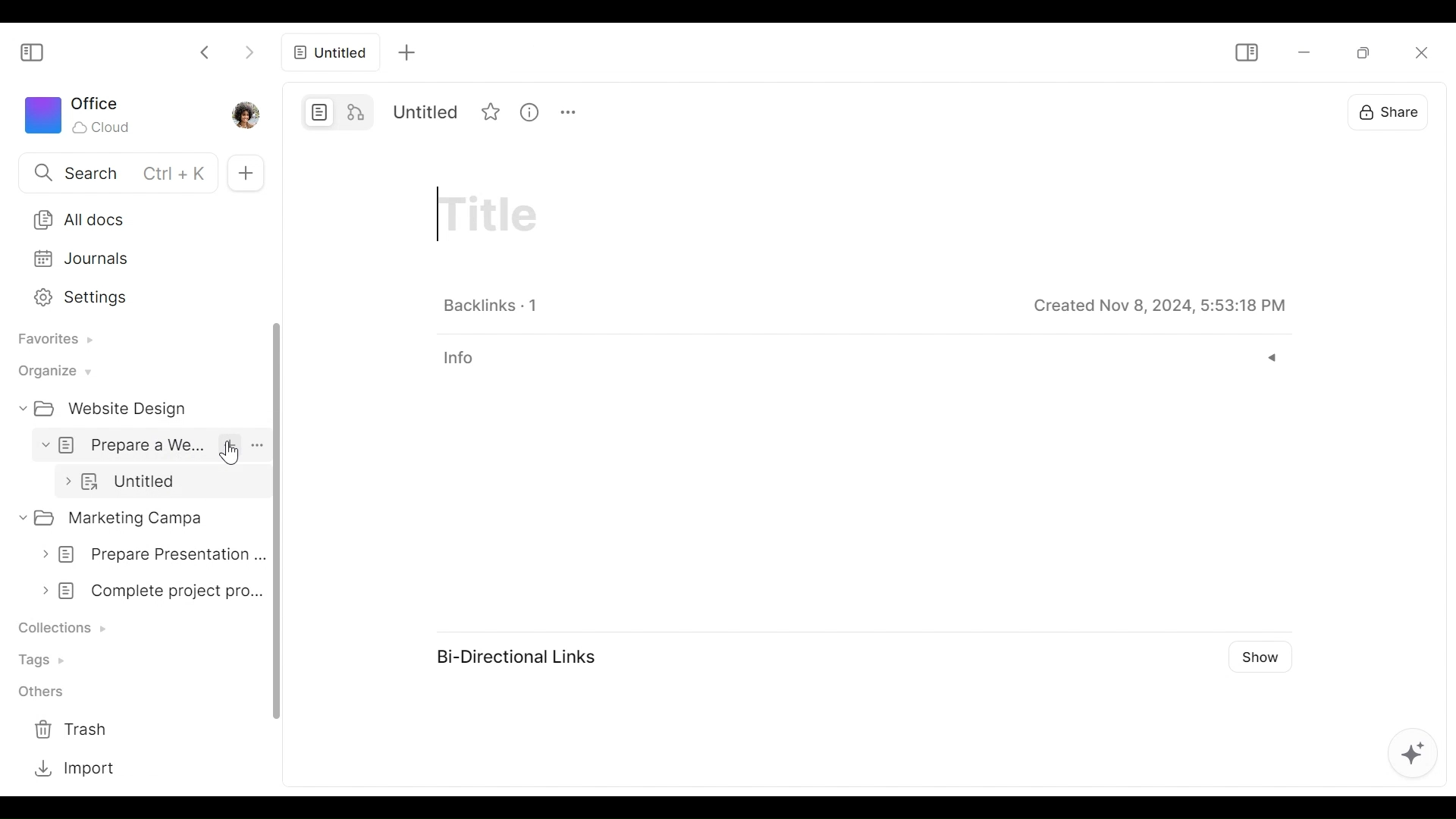 The height and width of the screenshot is (819, 1456). What do you see at coordinates (317, 112) in the screenshot?
I see `Page mode` at bounding box center [317, 112].